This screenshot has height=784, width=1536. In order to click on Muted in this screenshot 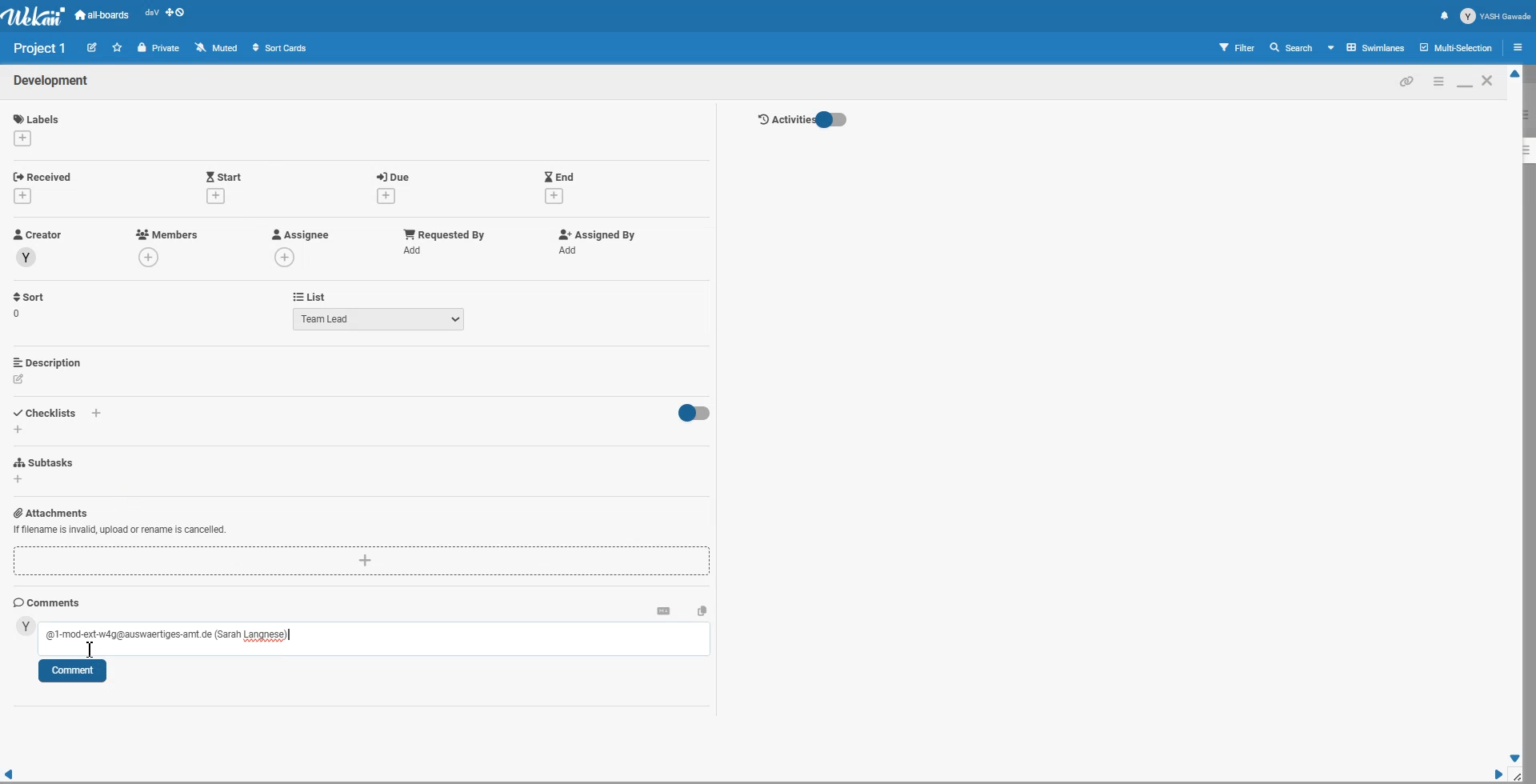, I will do `click(218, 47)`.